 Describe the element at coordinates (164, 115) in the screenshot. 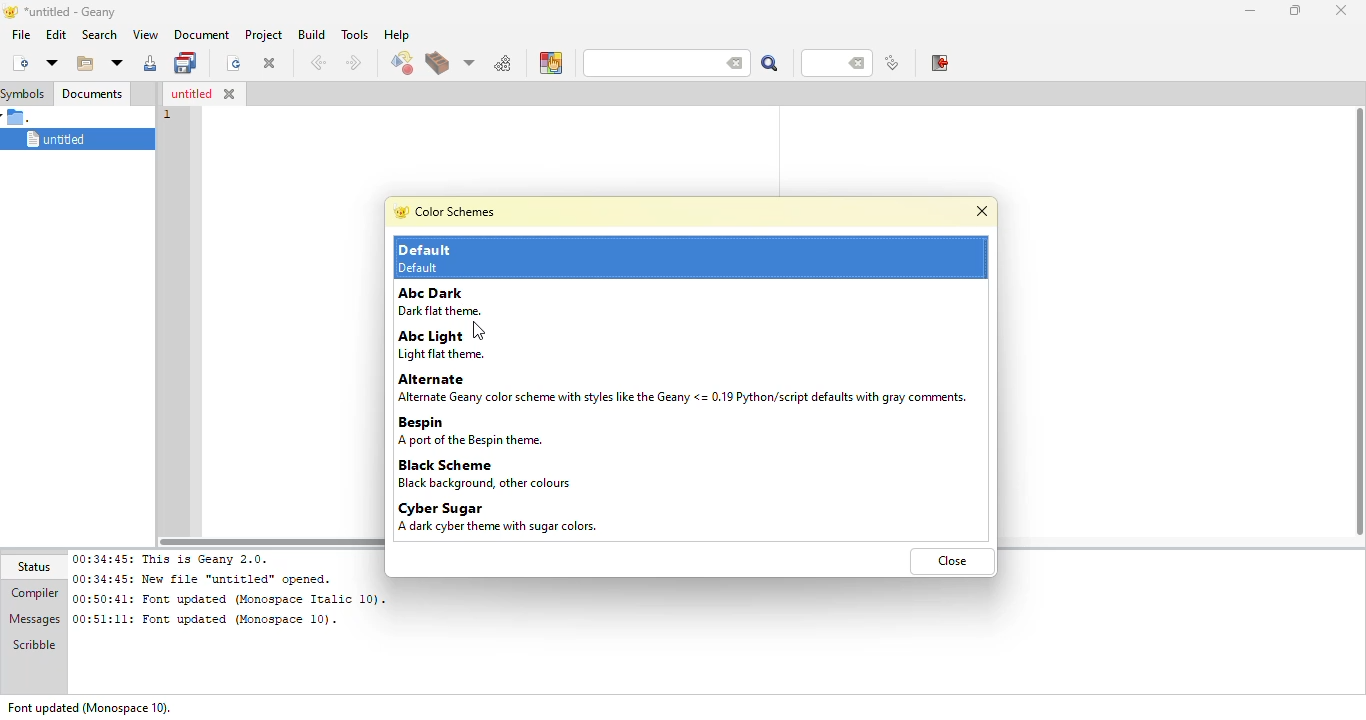

I see `line number` at that location.